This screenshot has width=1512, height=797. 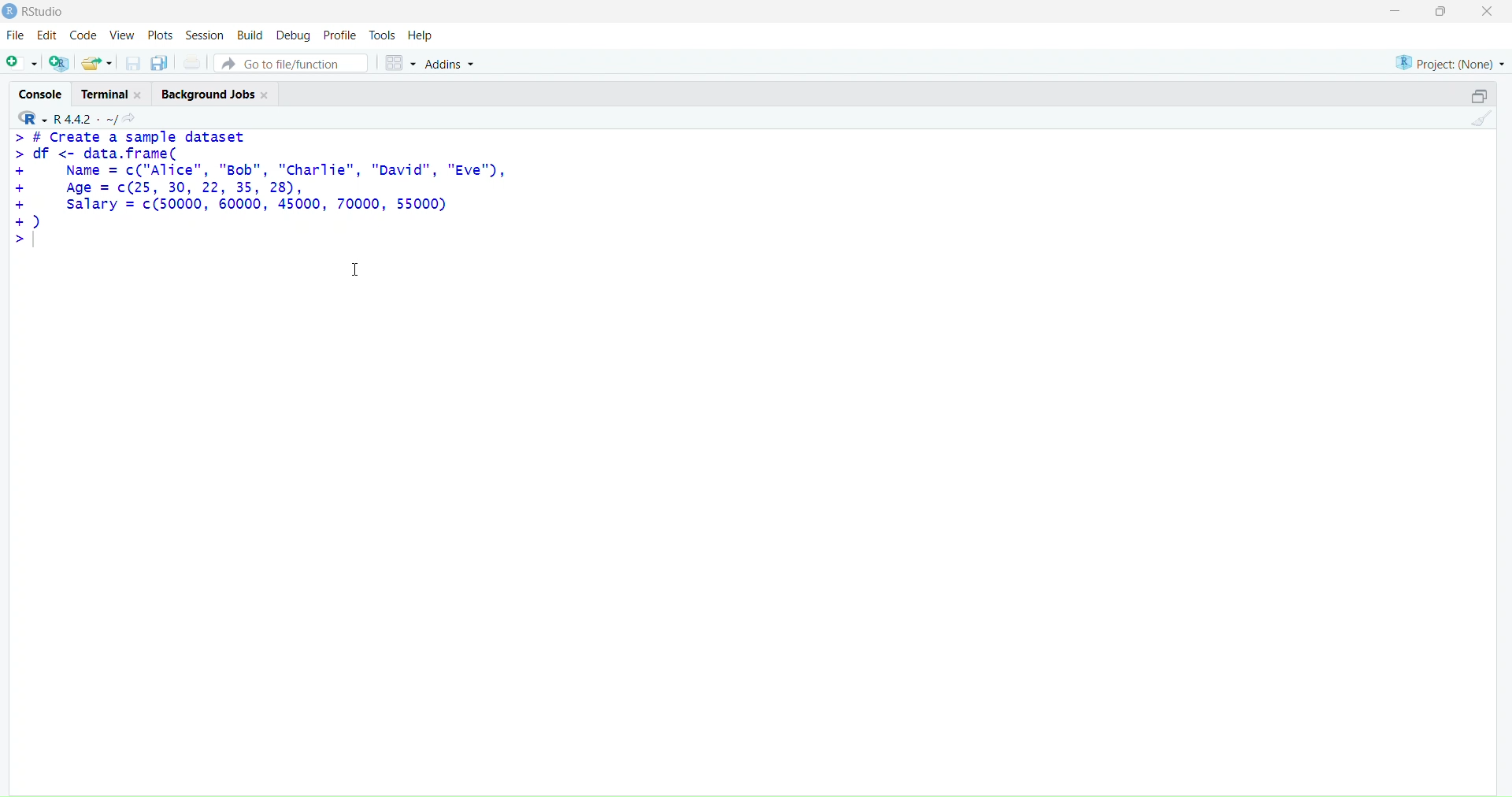 What do you see at coordinates (192, 61) in the screenshot?
I see `print the current file` at bounding box center [192, 61].